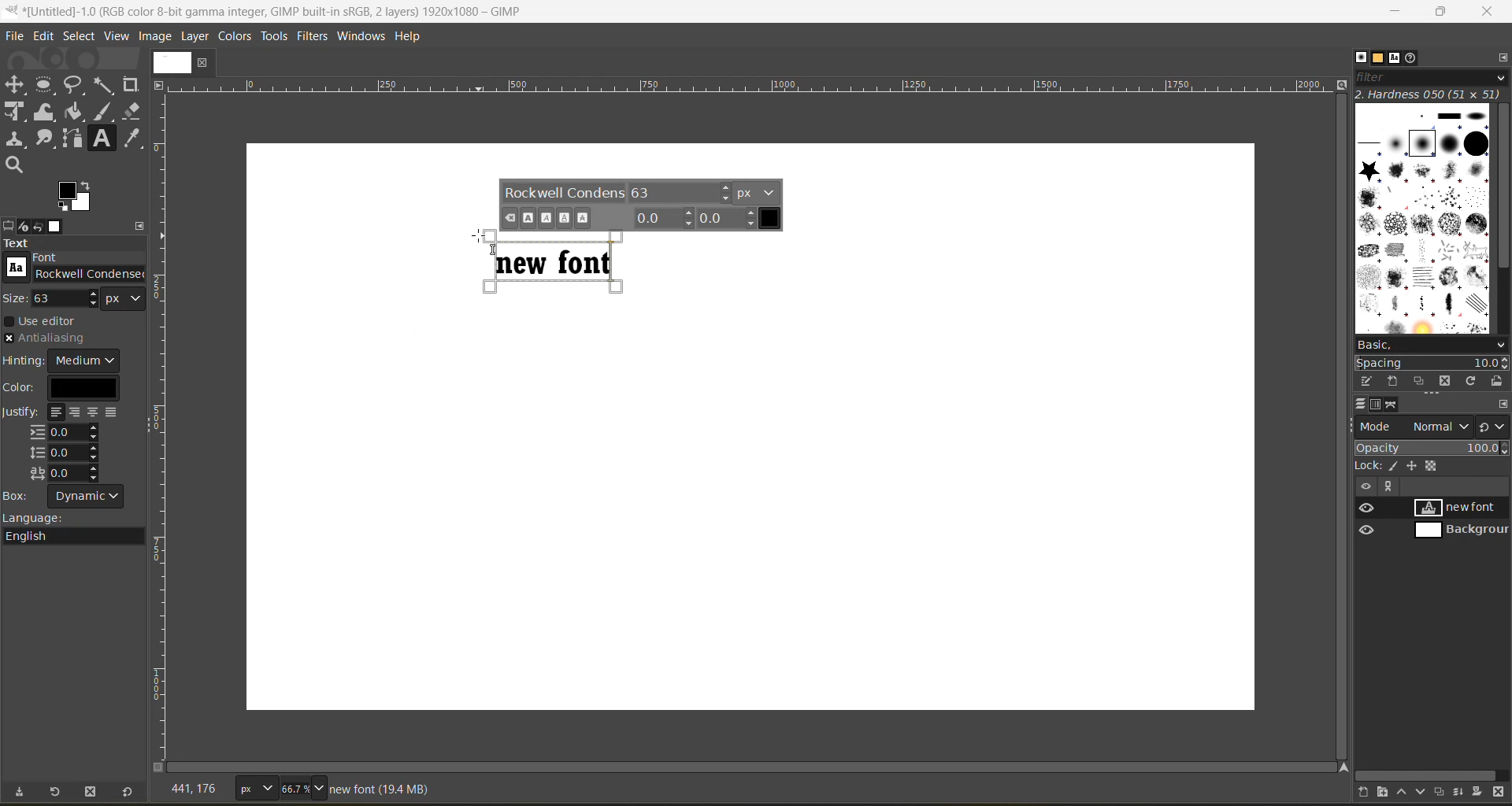 Image resolution: width=1512 pixels, height=806 pixels. I want to click on language, so click(78, 529).